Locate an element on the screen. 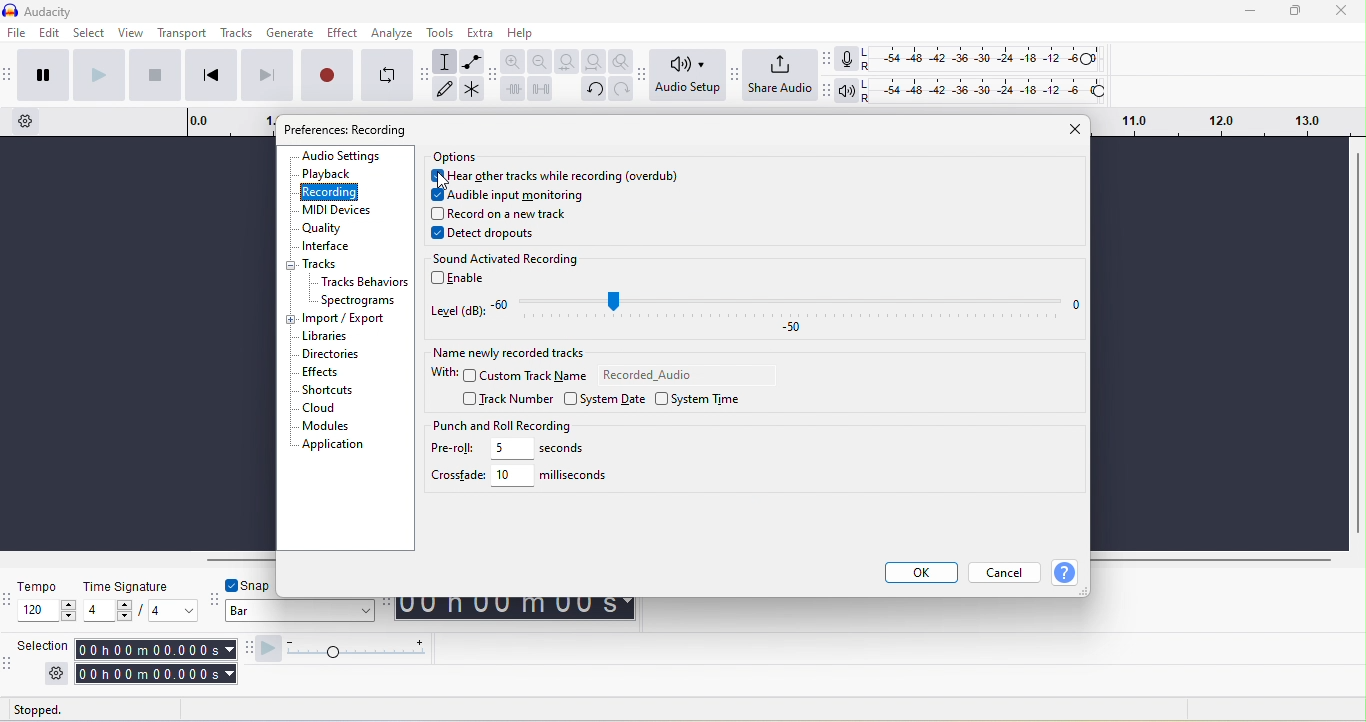  effects is located at coordinates (343, 373).